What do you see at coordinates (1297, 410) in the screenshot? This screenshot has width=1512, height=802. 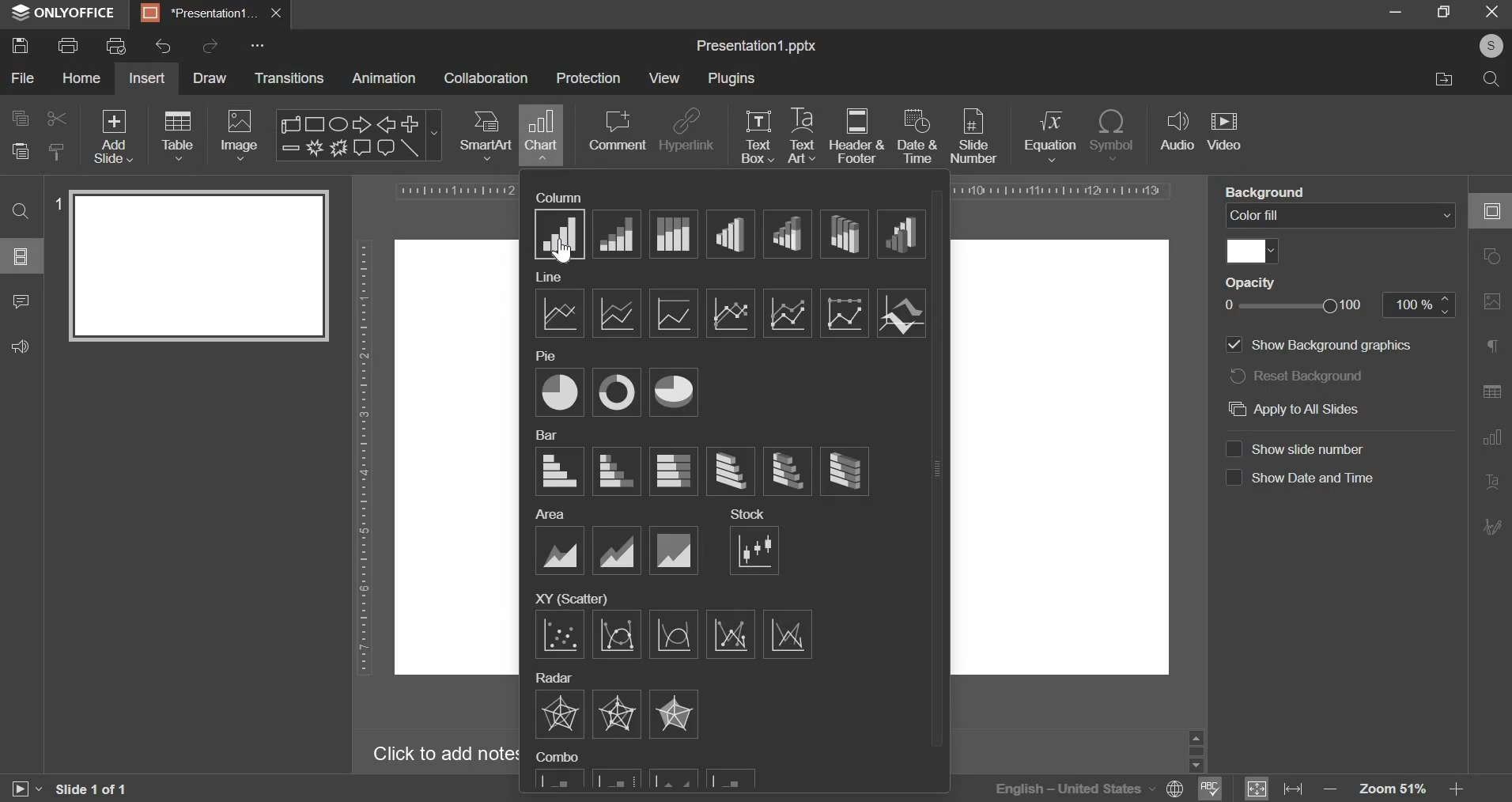 I see `apply to all slides` at bounding box center [1297, 410].